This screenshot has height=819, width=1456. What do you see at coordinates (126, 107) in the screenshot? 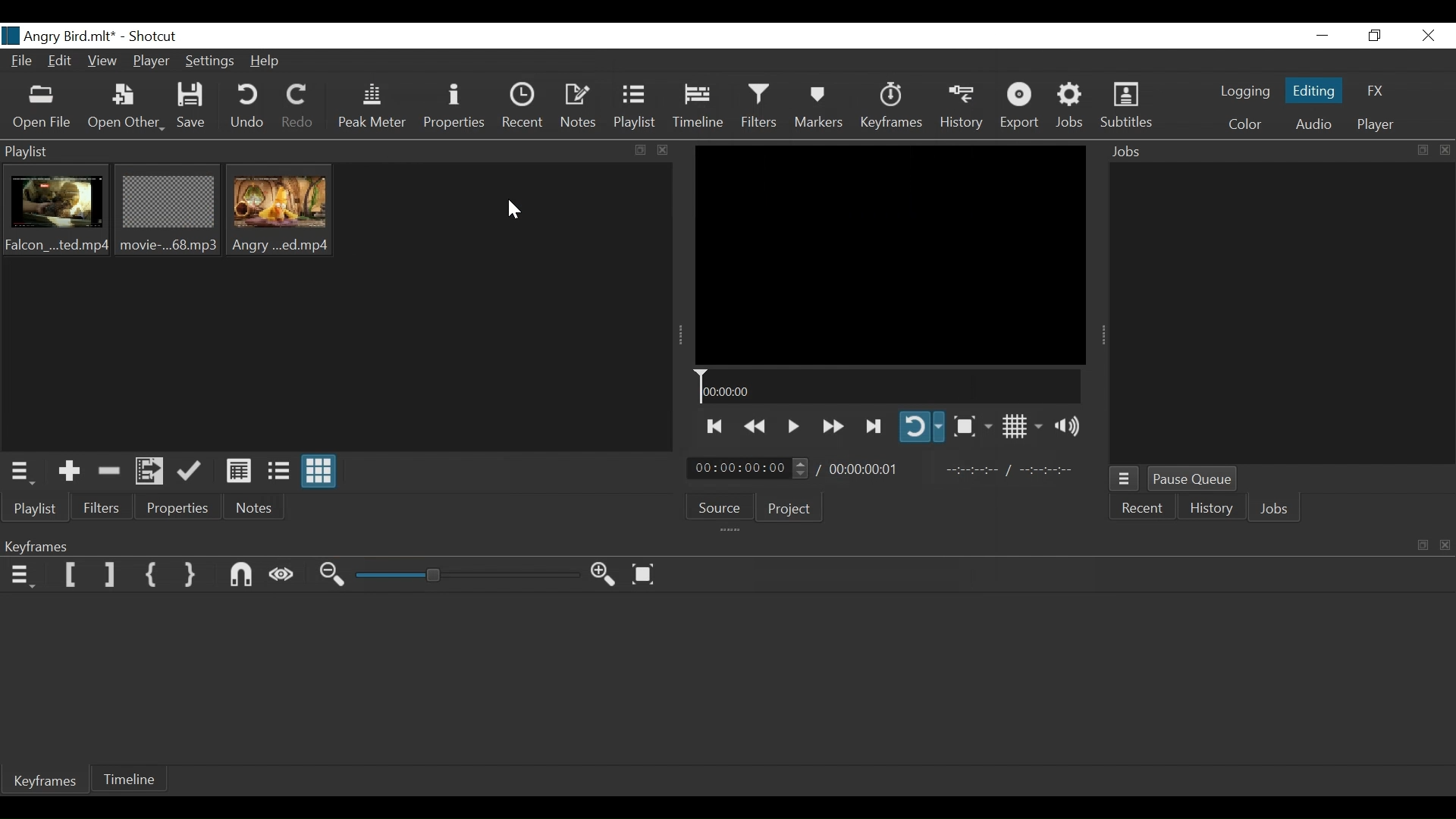
I see `Open Other` at bounding box center [126, 107].